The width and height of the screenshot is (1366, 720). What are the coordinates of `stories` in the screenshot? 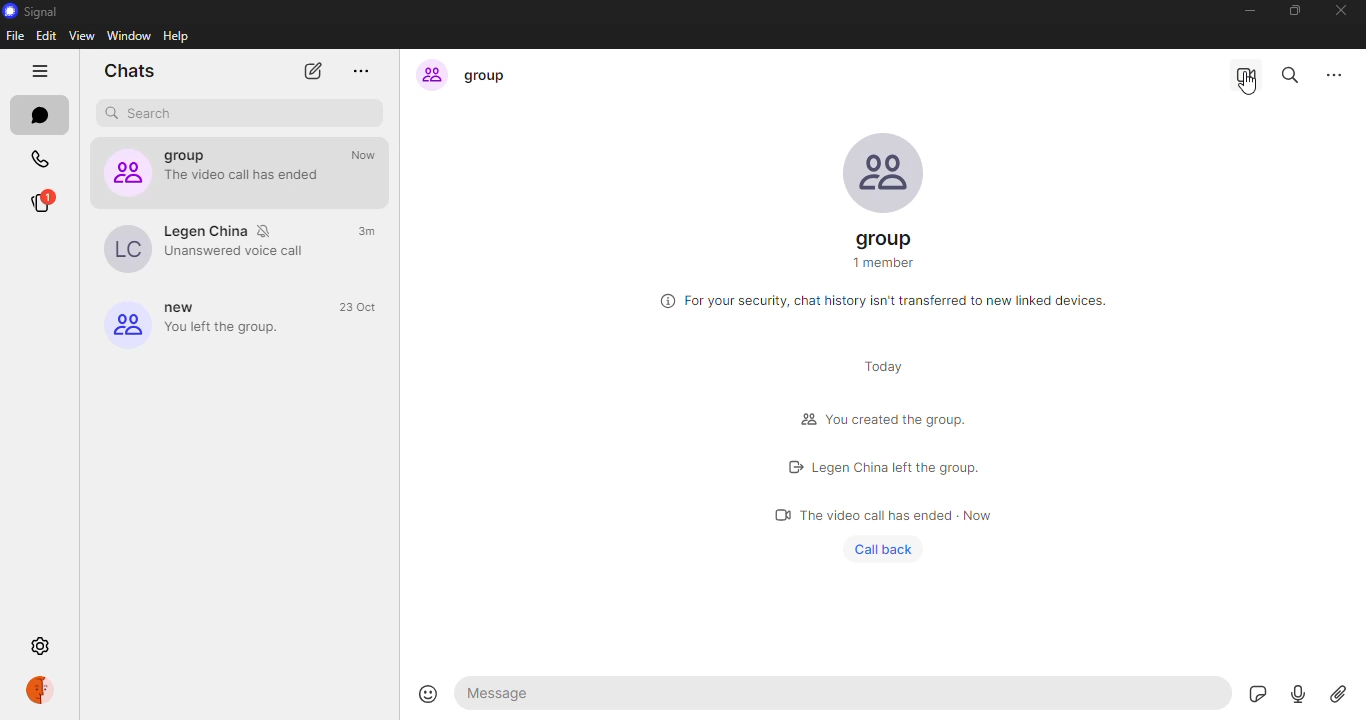 It's located at (46, 200).